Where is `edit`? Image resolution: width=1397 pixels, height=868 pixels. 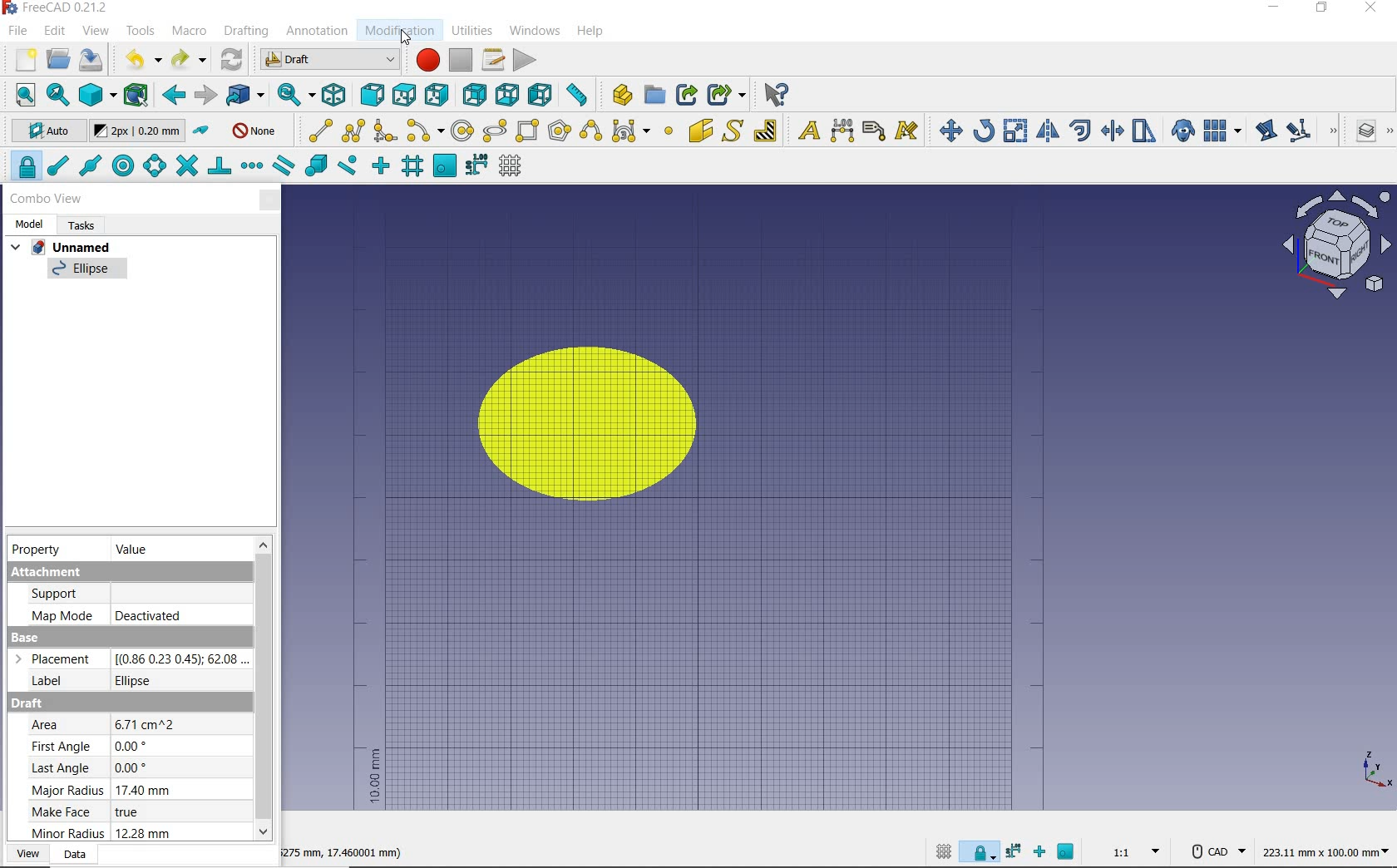
edit is located at coordinates (1265, 130).